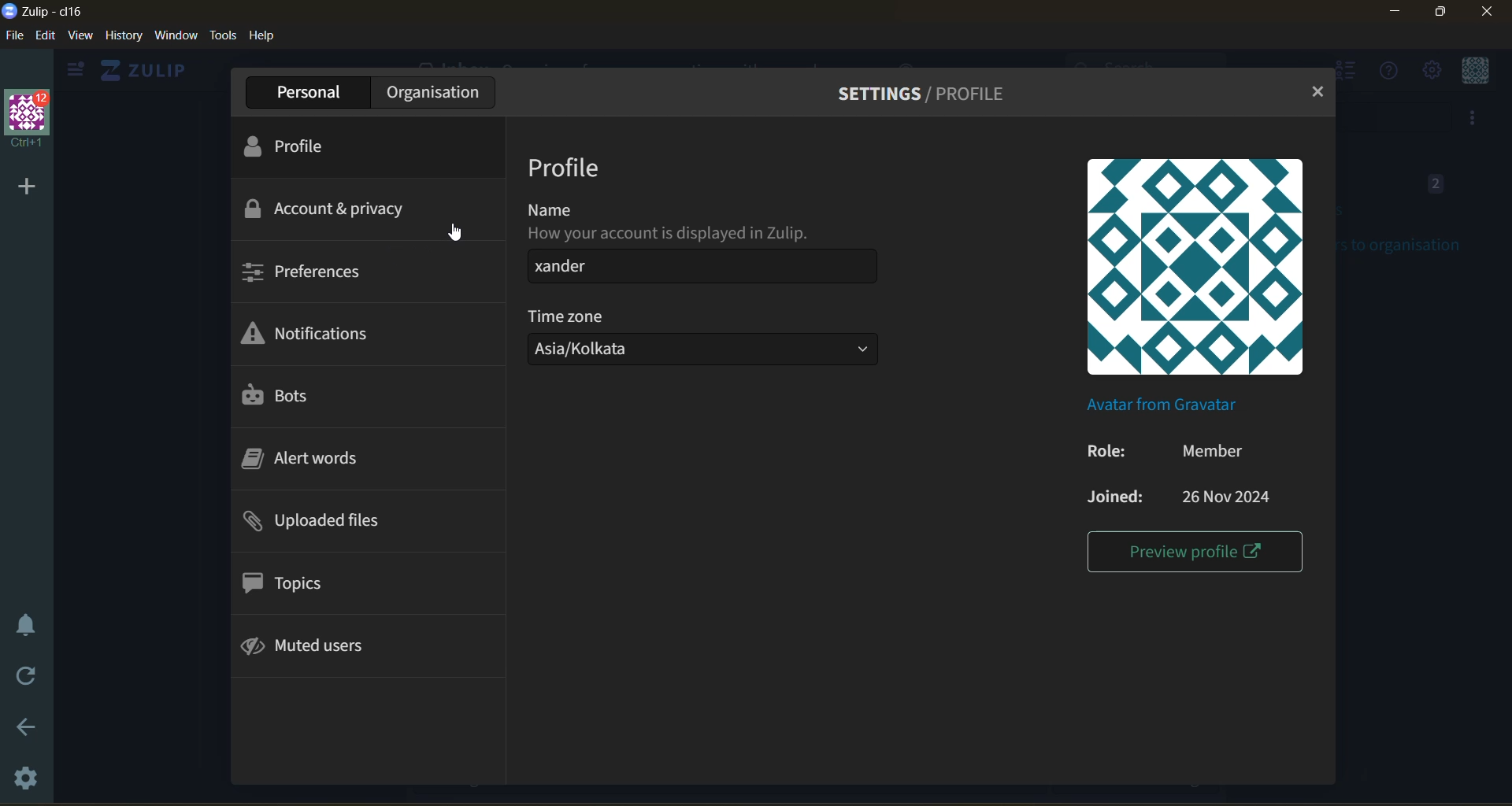  I want to click on preferences, so click(302, 269).